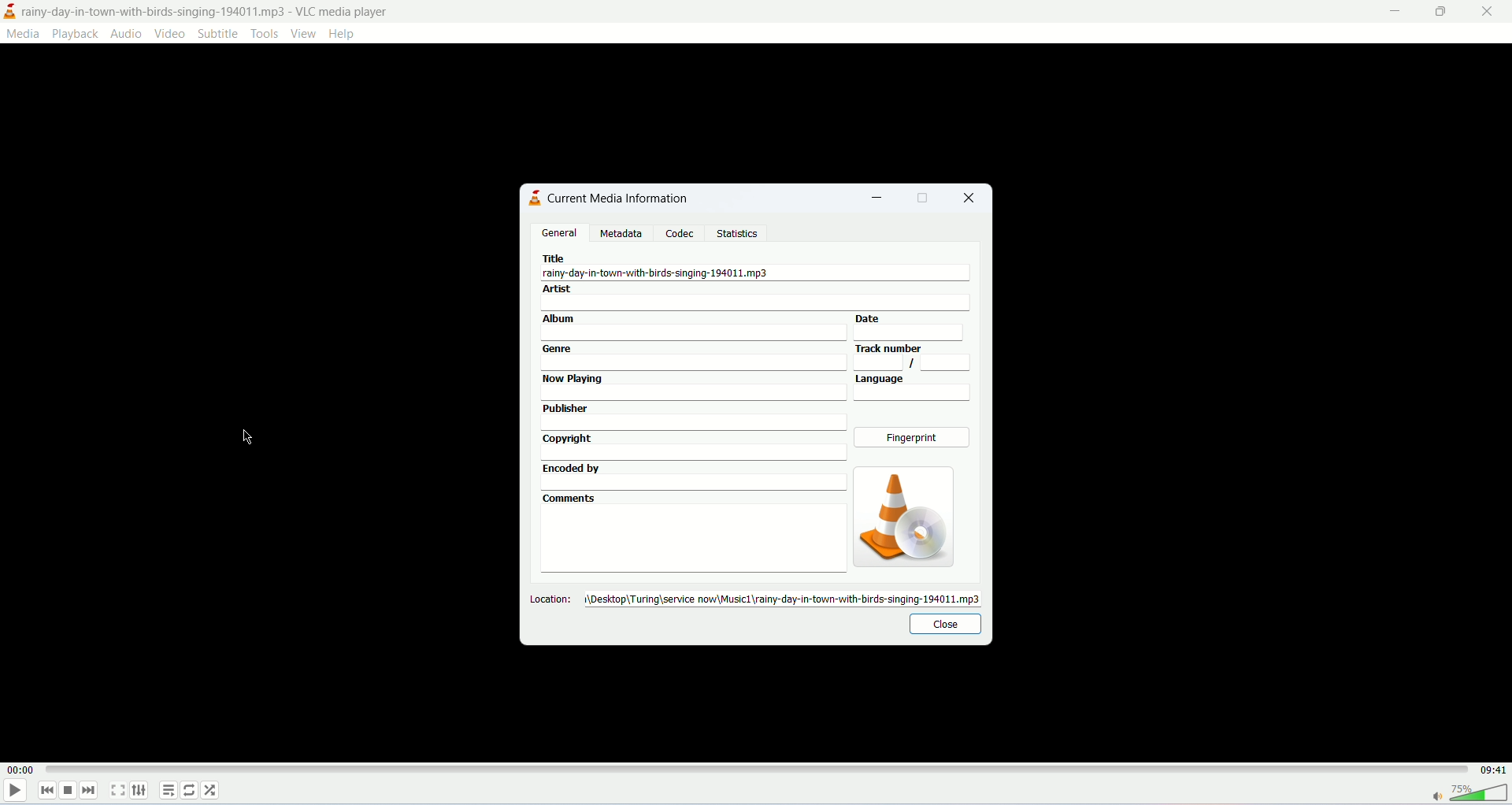 The image size is (1512, 805). I want to click on y-day-in-town-with-birds-singing-194011.mp3 - VLC media player, so click(214, 12).